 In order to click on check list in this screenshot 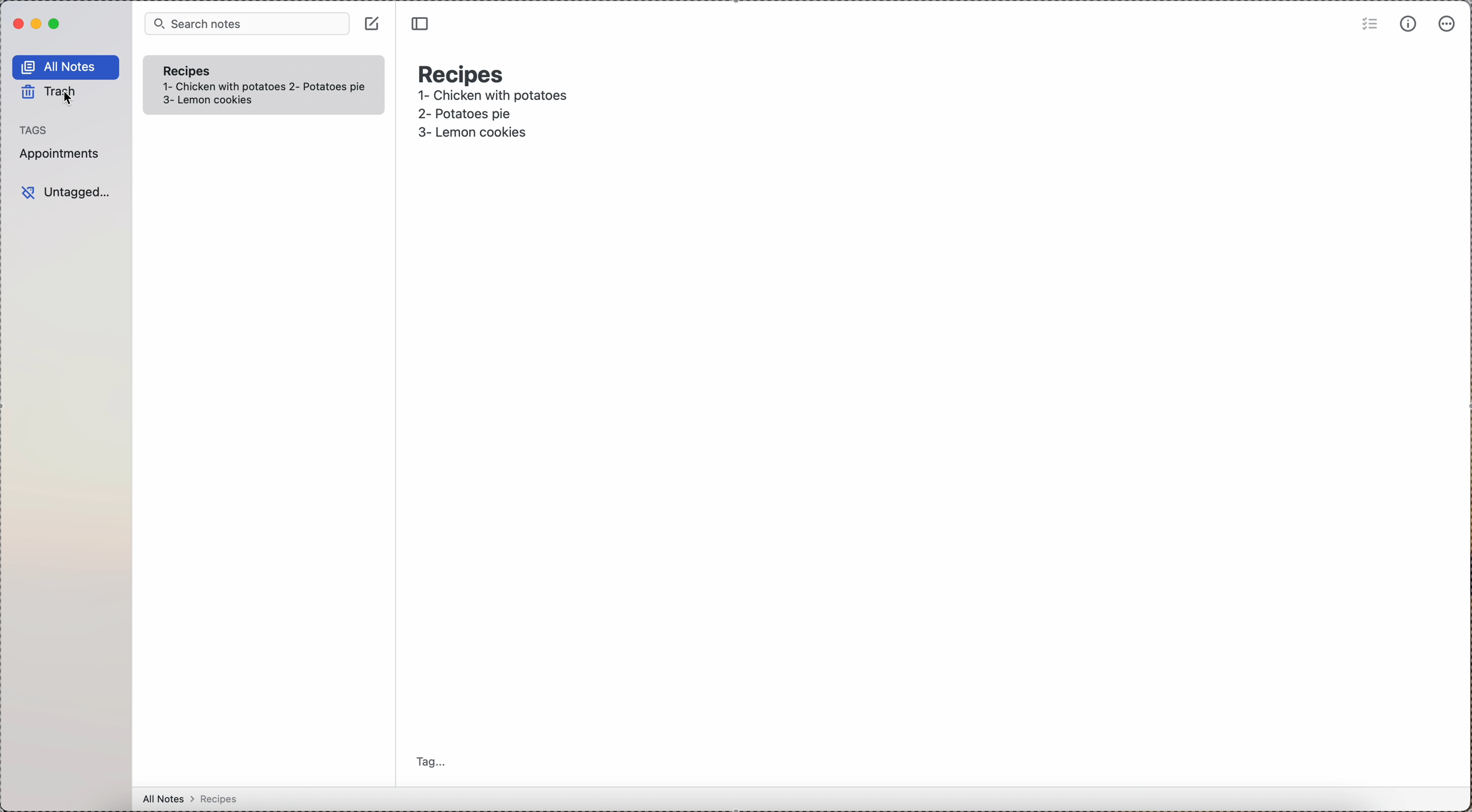, I will do `click(1368, 26)`.